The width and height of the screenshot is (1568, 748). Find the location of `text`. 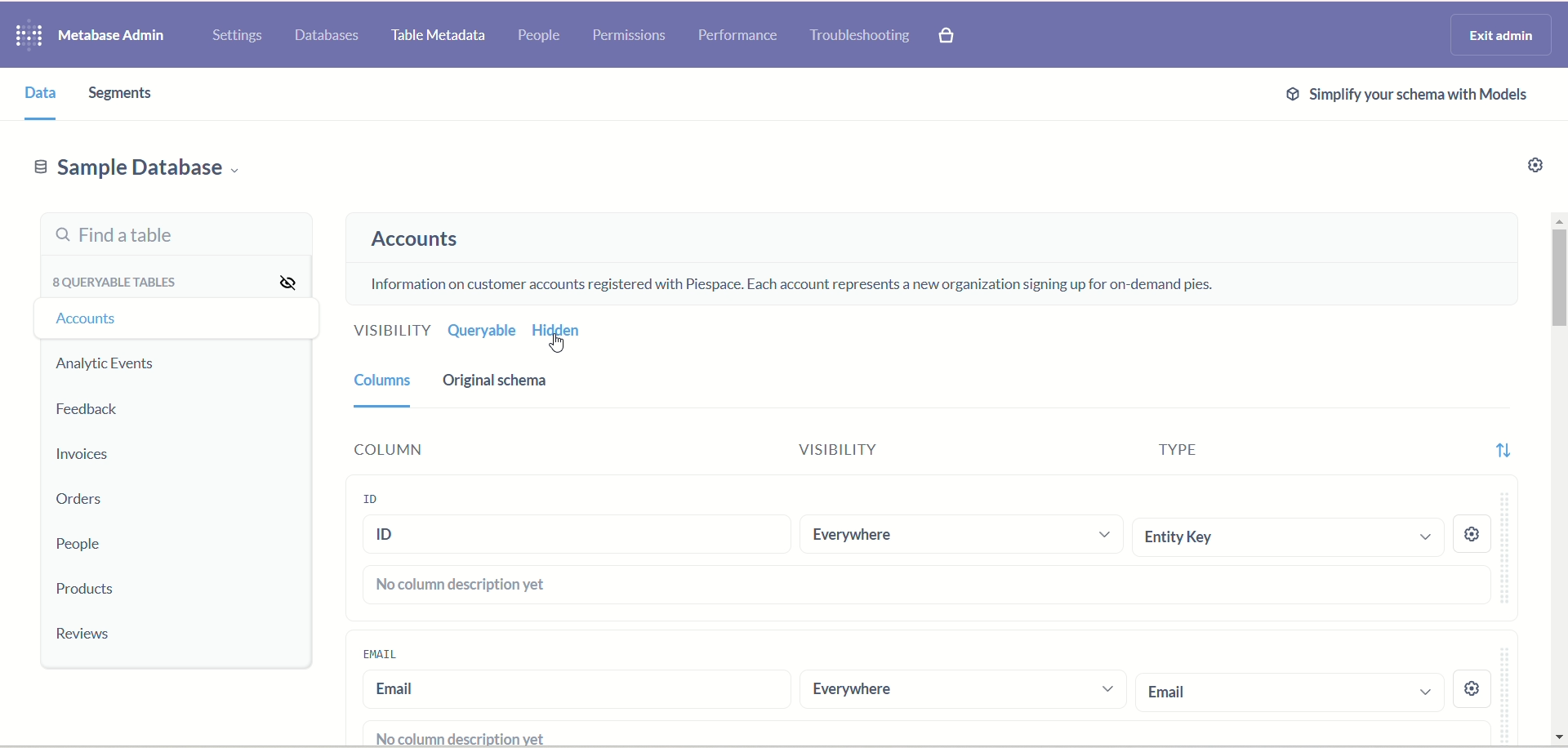

text is located at coordinates (790, 280).